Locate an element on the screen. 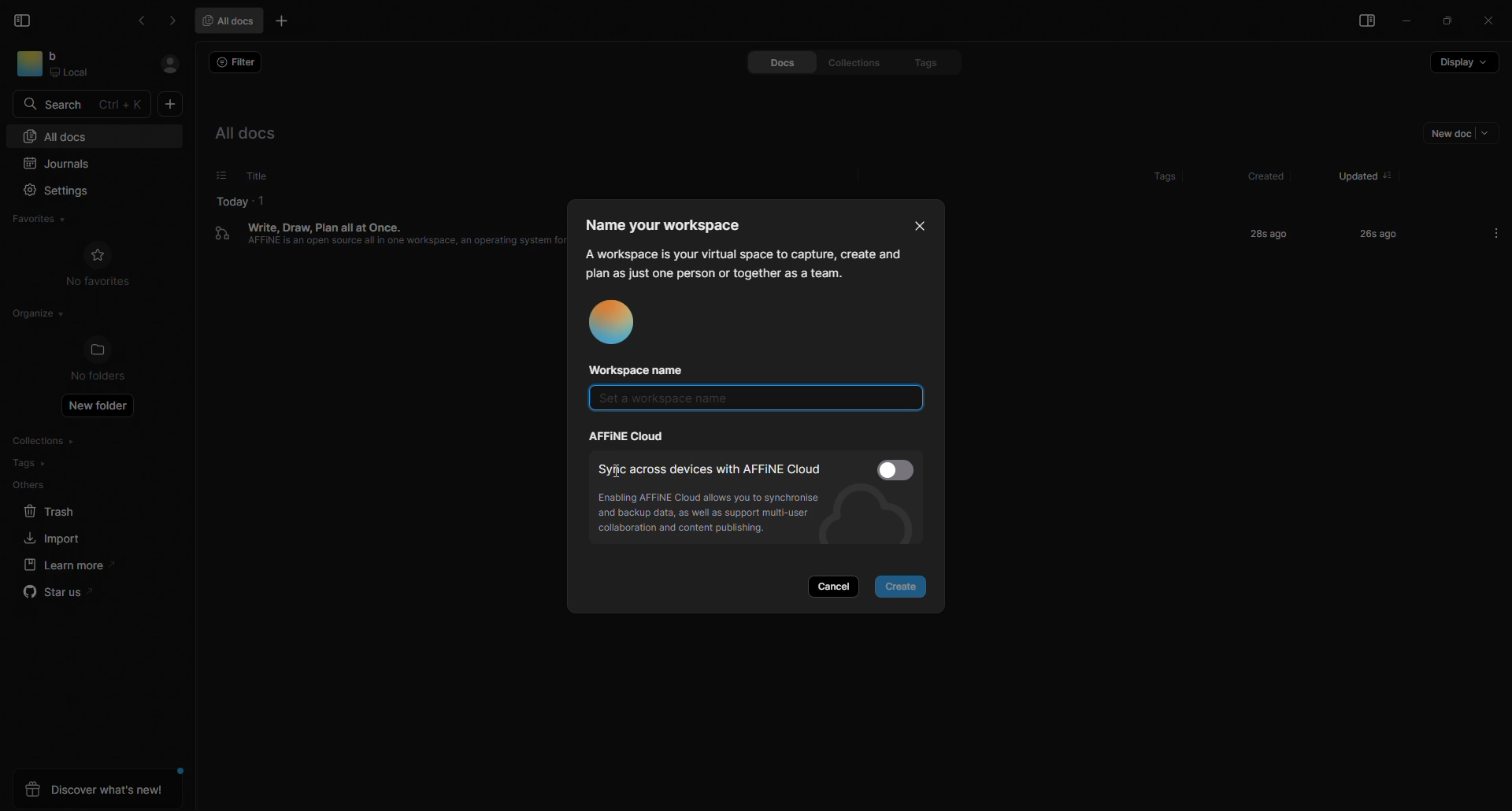 Image resolution: width=1512 pixels, height=811 pixels. organize is located at coordinates (35, 313).